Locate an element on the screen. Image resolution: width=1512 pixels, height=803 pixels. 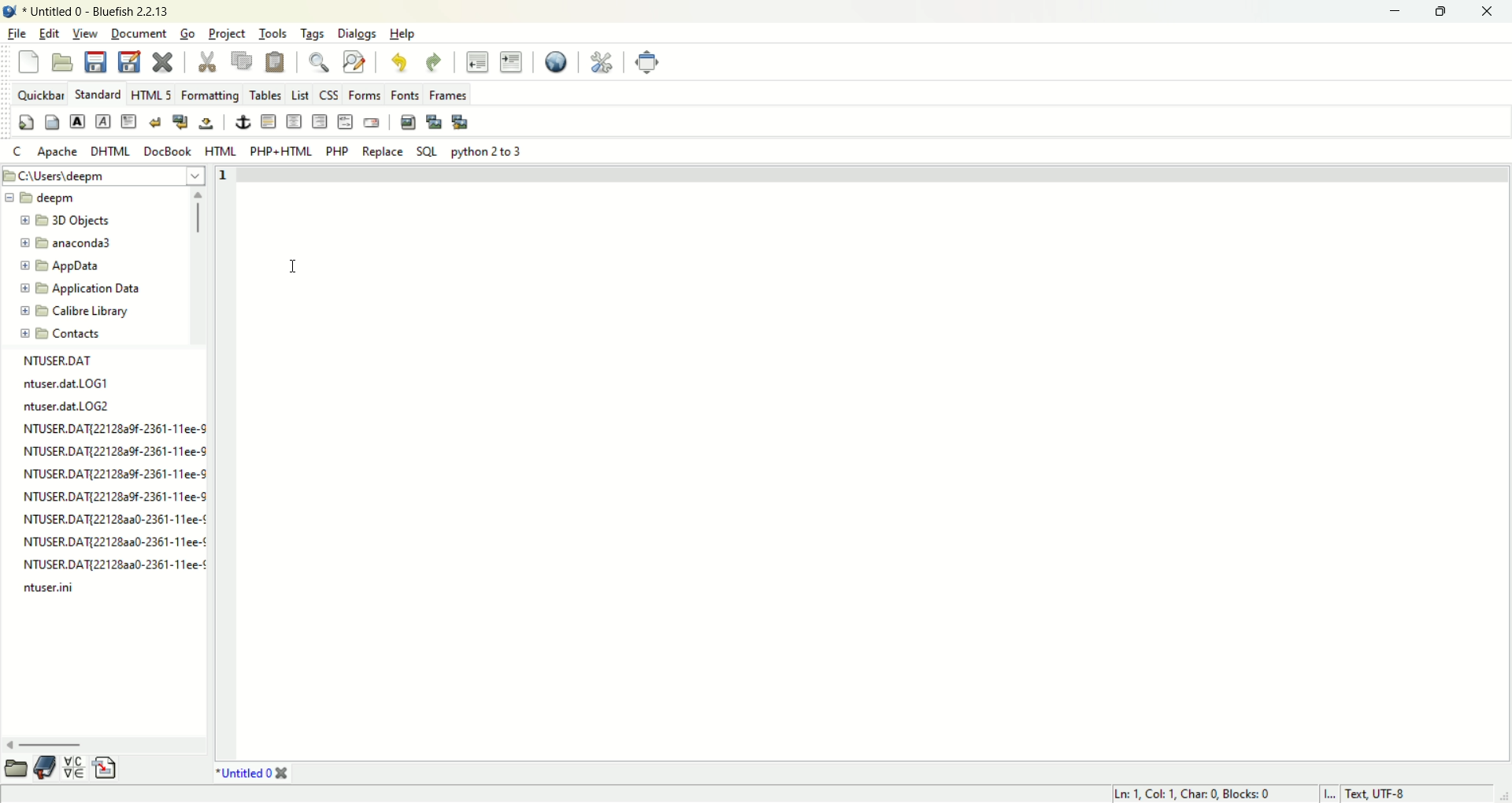
break and clear is located at coordinates (181, 121).